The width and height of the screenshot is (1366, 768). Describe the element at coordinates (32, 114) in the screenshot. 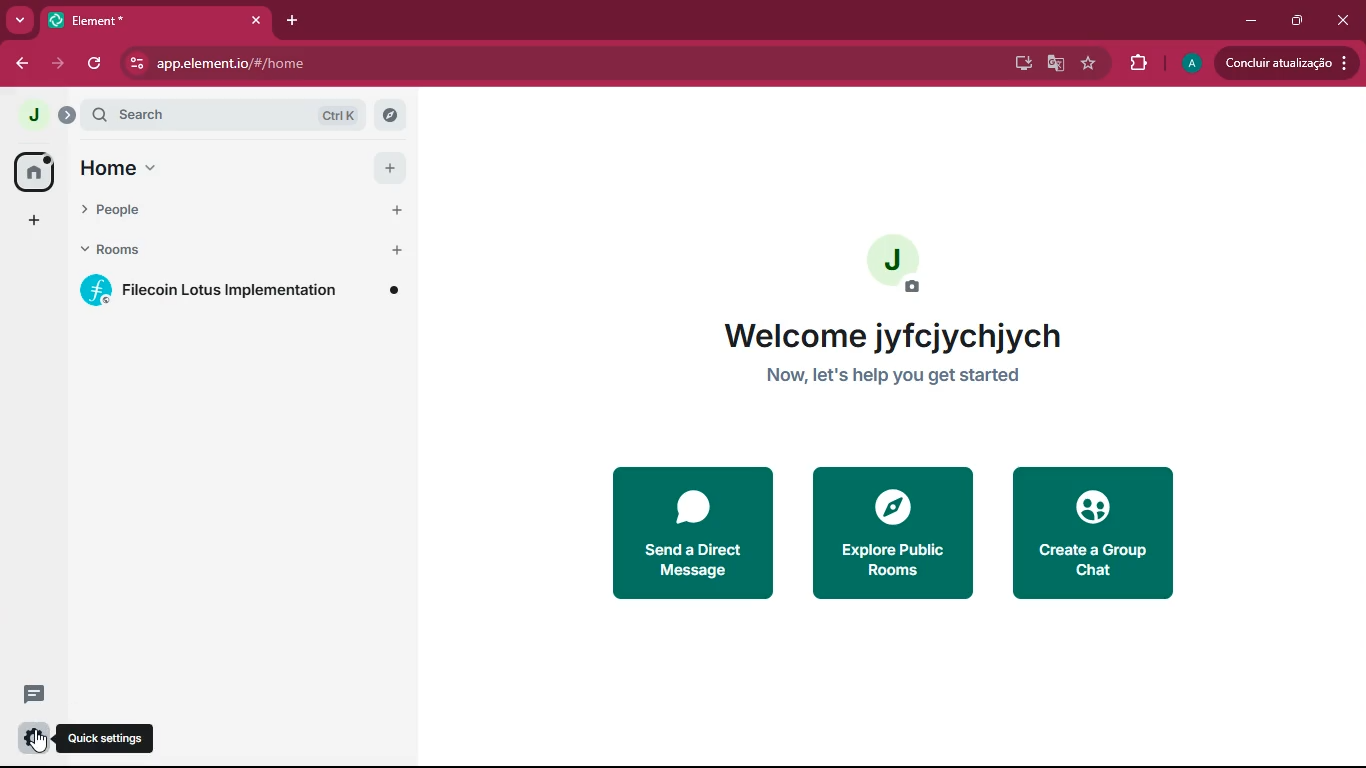

I see `profile picture` at that location.